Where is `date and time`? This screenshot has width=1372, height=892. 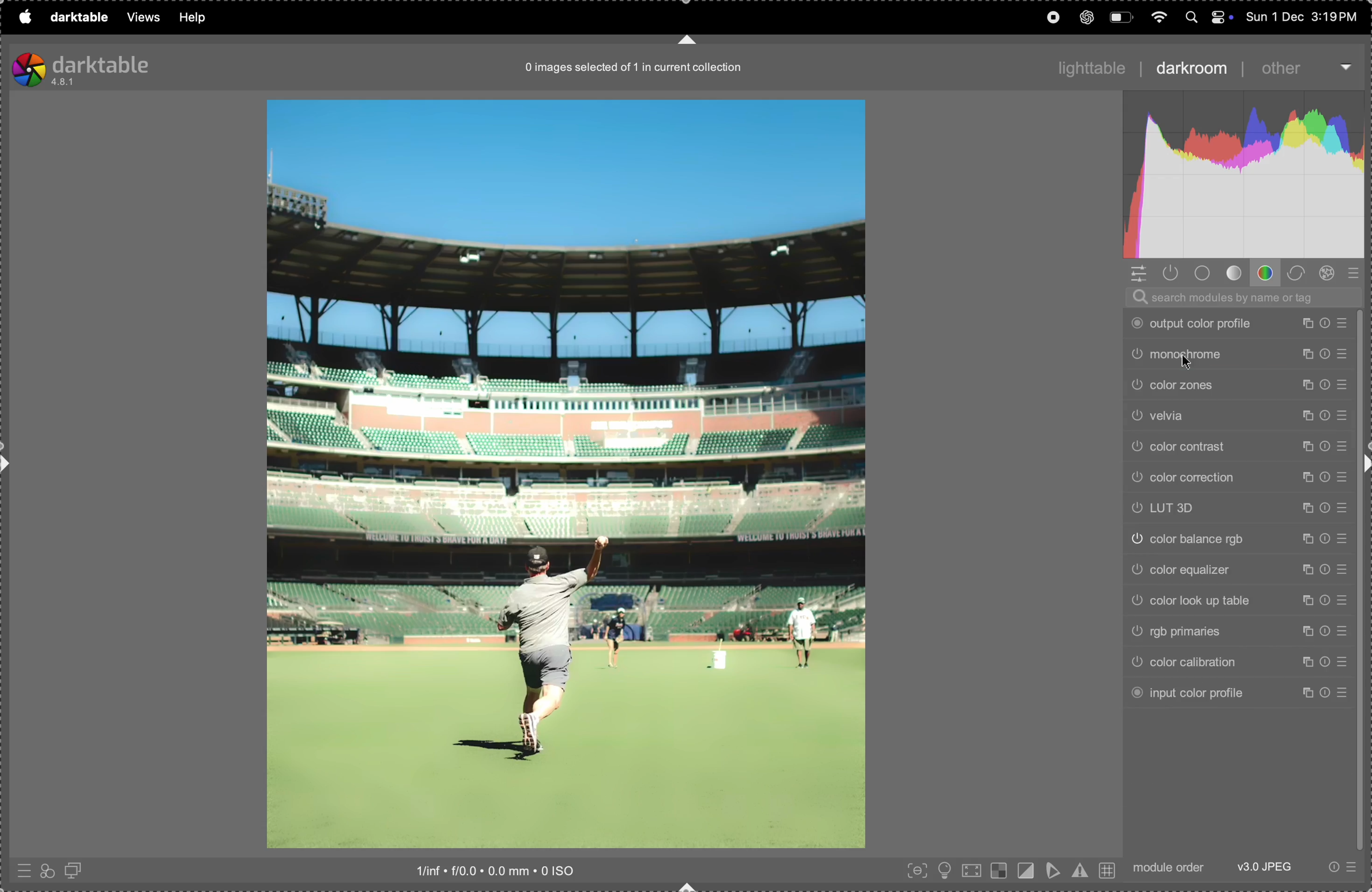
date and time is located at coordinates (1305, 17).